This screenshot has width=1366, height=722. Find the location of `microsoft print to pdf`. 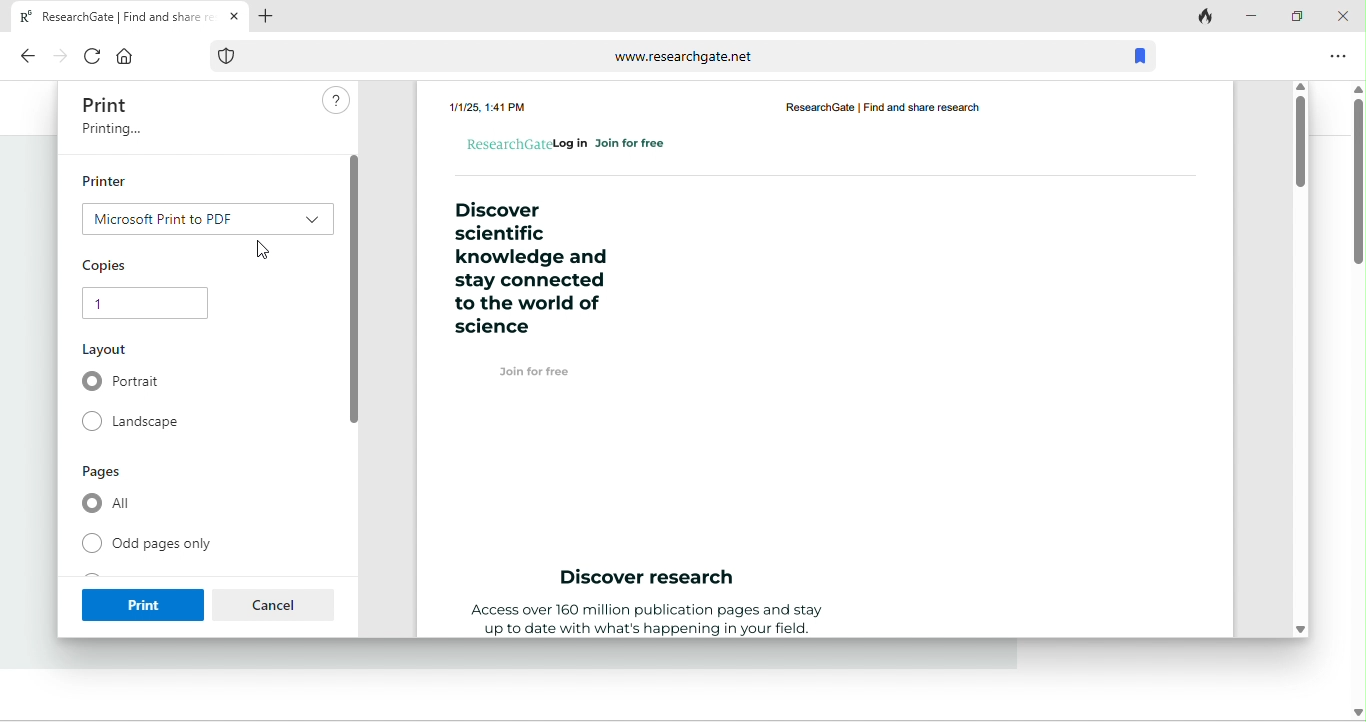

microsoft print to pdf is located at coordinates (204, 217).